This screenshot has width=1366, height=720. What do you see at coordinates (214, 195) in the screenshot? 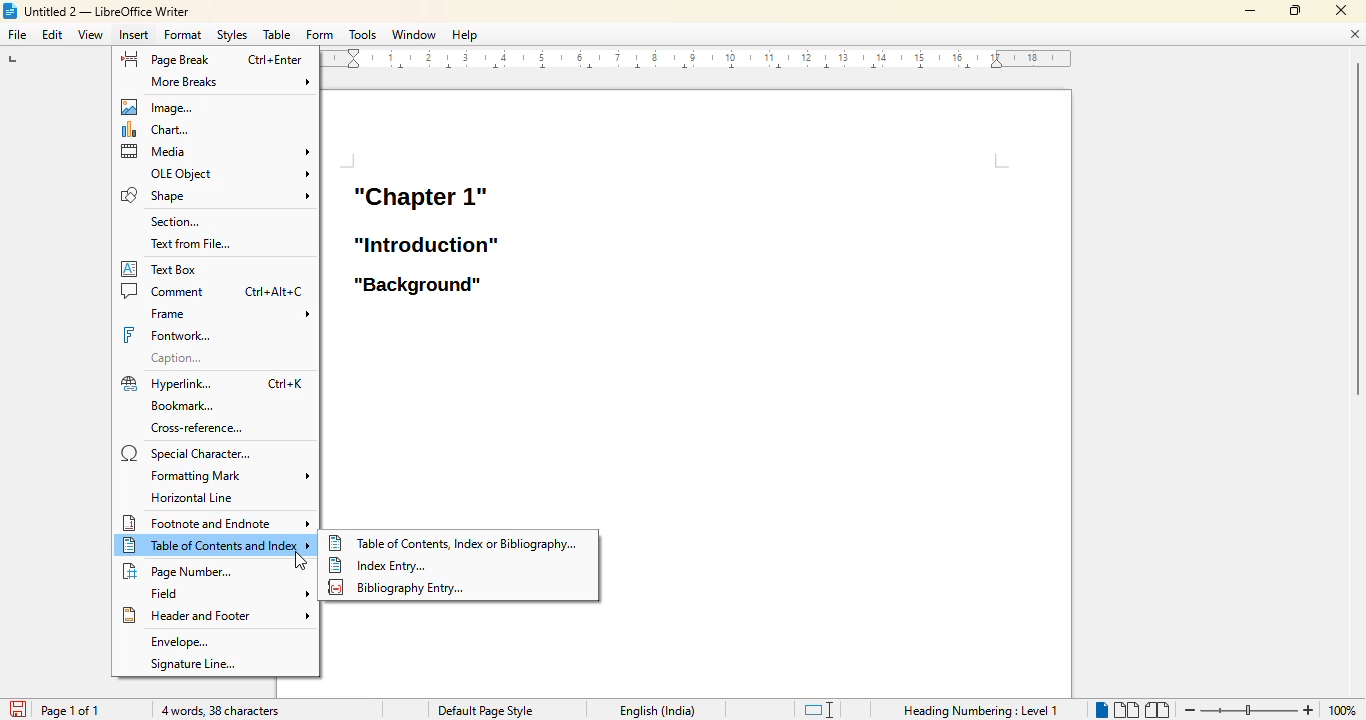
I see `shape` at bounding box center [214, 195].